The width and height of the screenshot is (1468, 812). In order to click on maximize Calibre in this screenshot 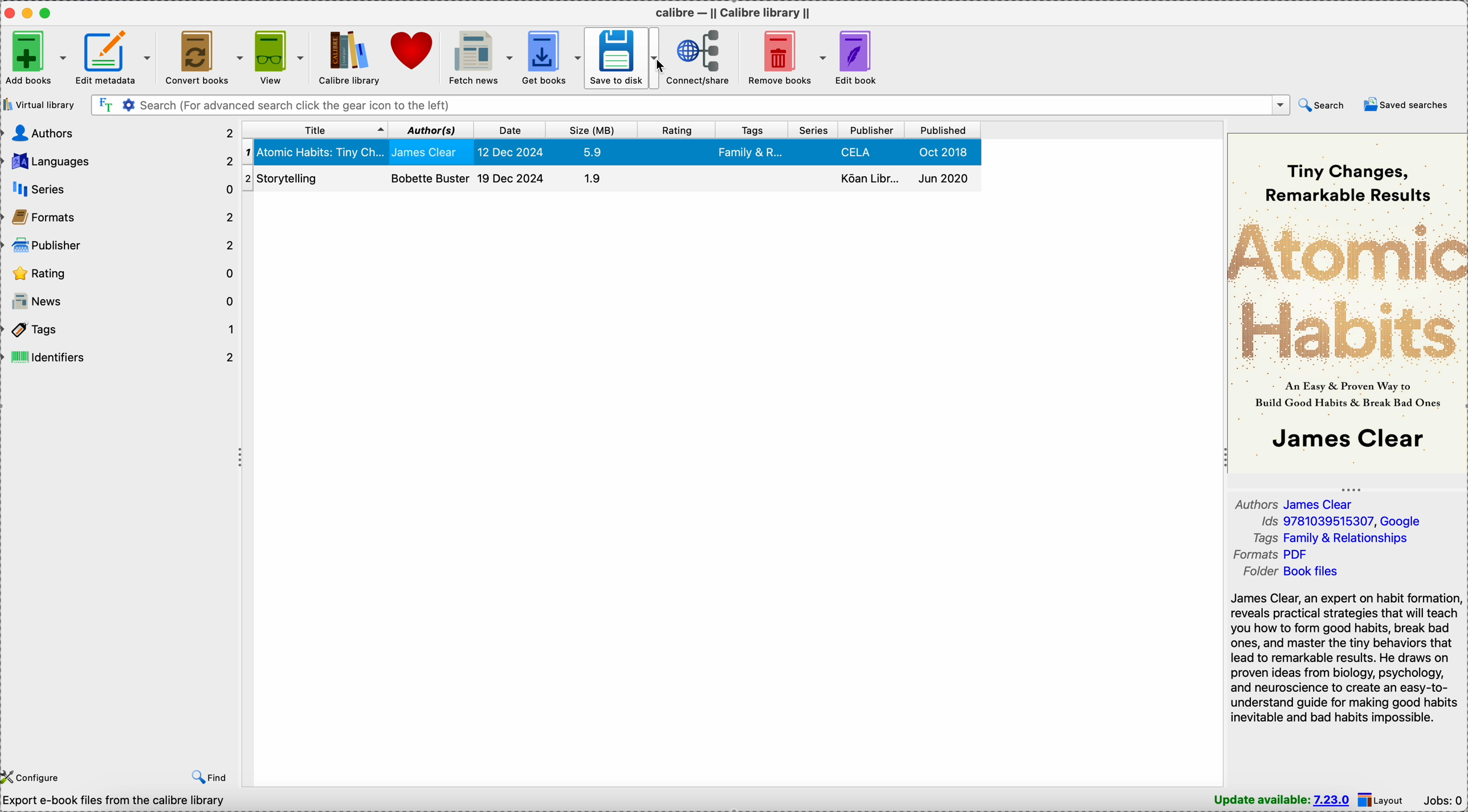, I will do `click(48, 11)`.